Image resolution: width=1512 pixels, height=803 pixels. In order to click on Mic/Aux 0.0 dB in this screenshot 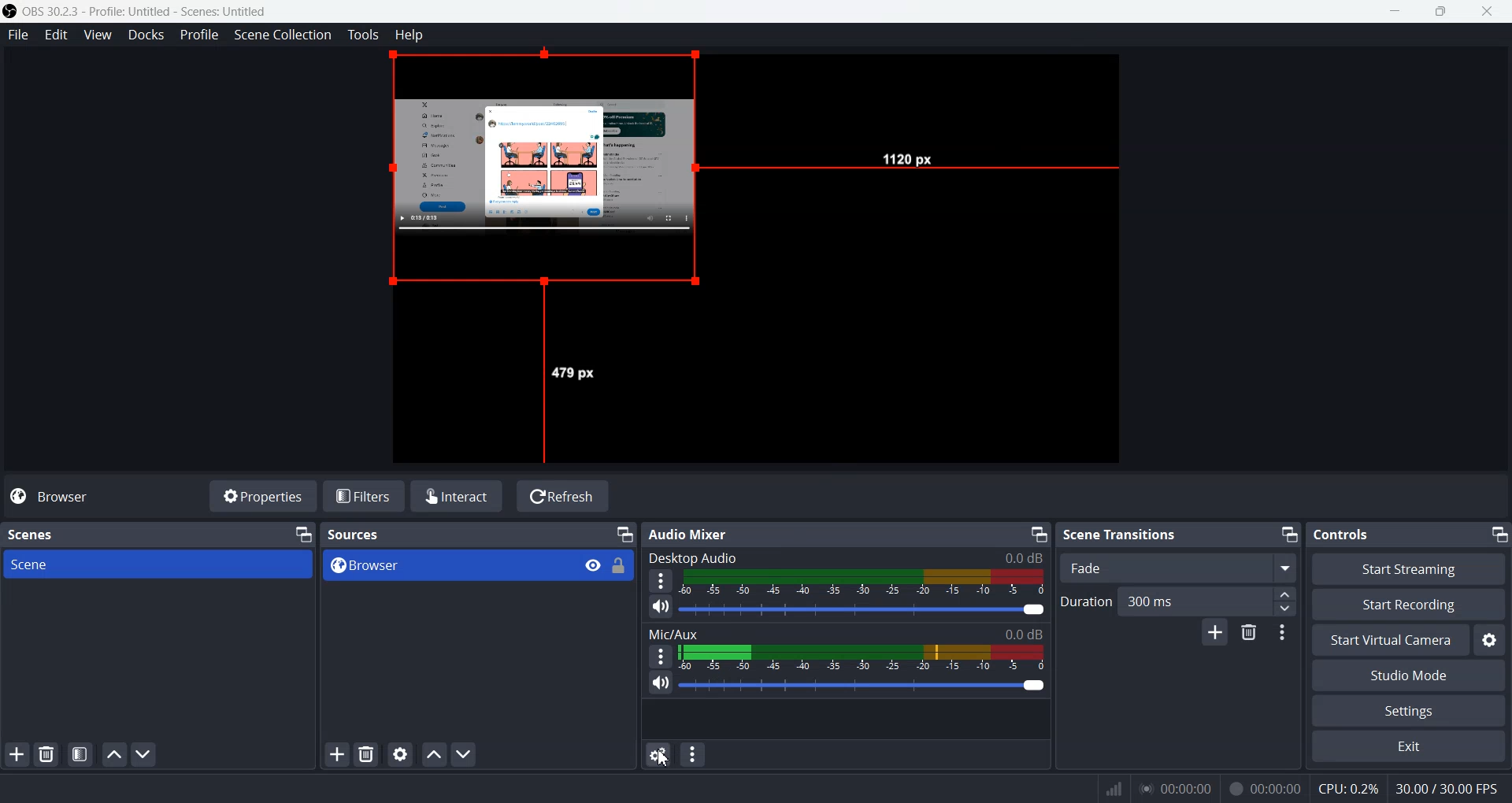, I will do `click(845, 632)`.